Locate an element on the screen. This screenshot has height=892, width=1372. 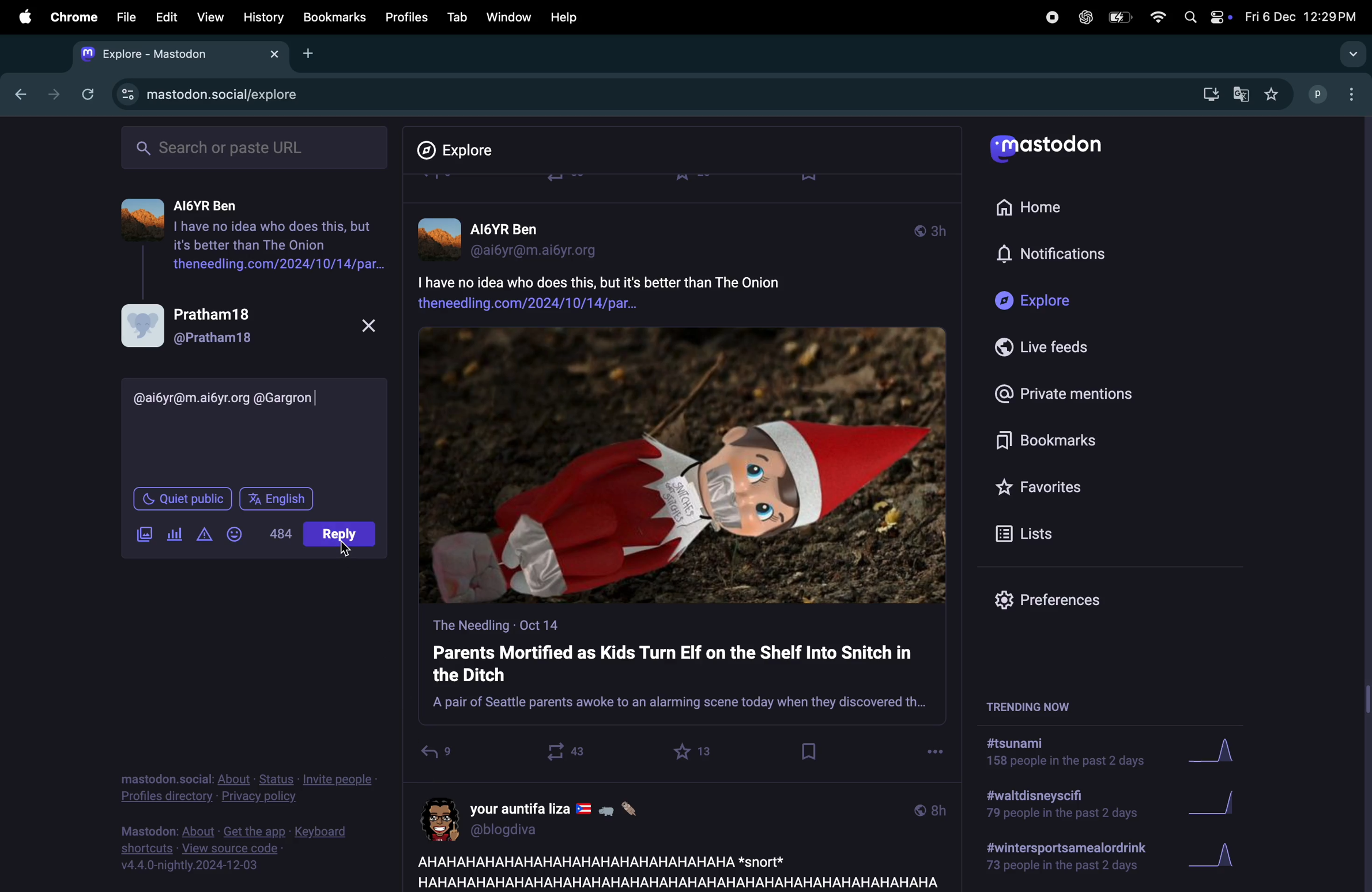
post description is located at coordinates (643, 290).